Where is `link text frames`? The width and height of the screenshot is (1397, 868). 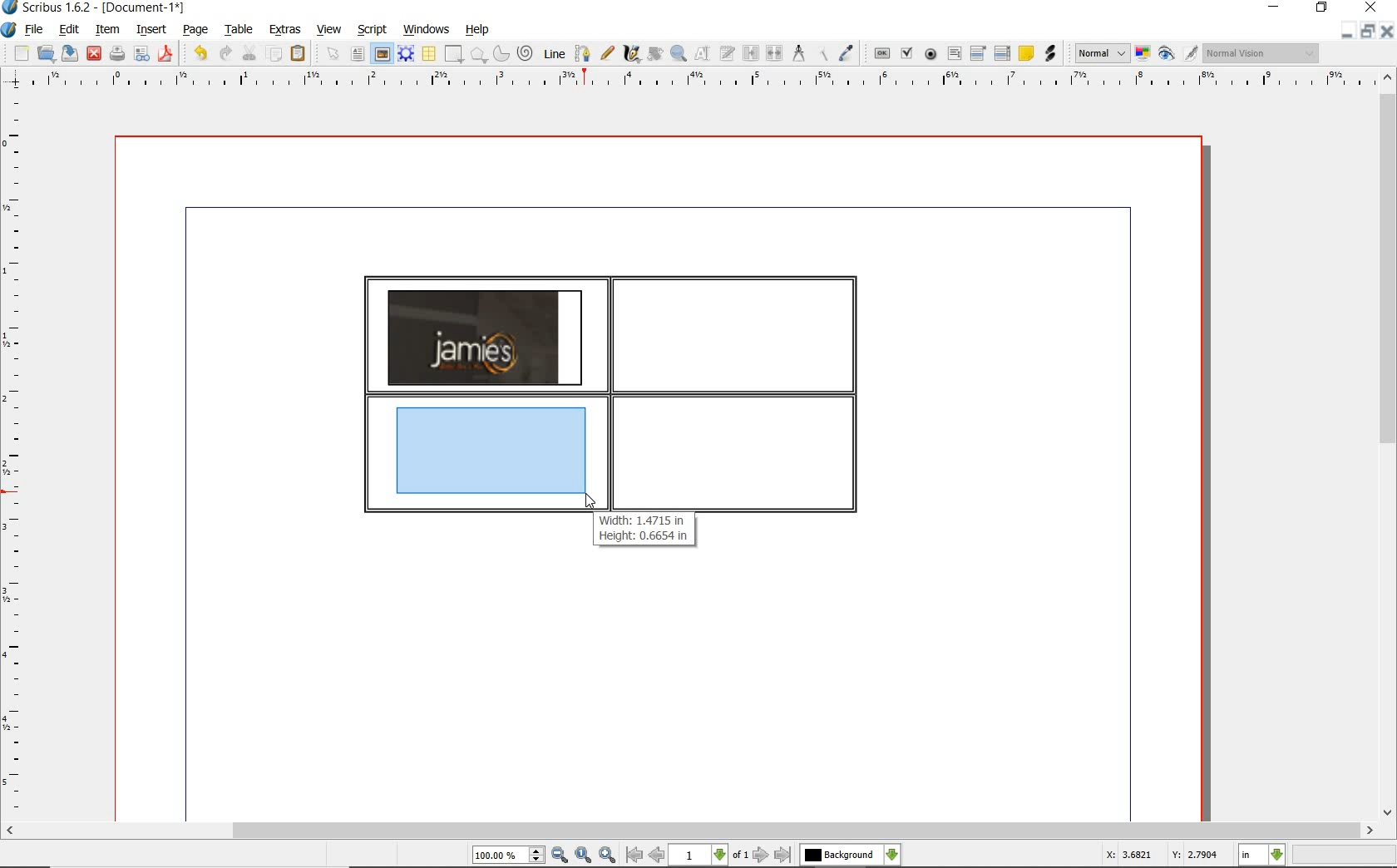
link text frames is located at coordinates (752, 53).